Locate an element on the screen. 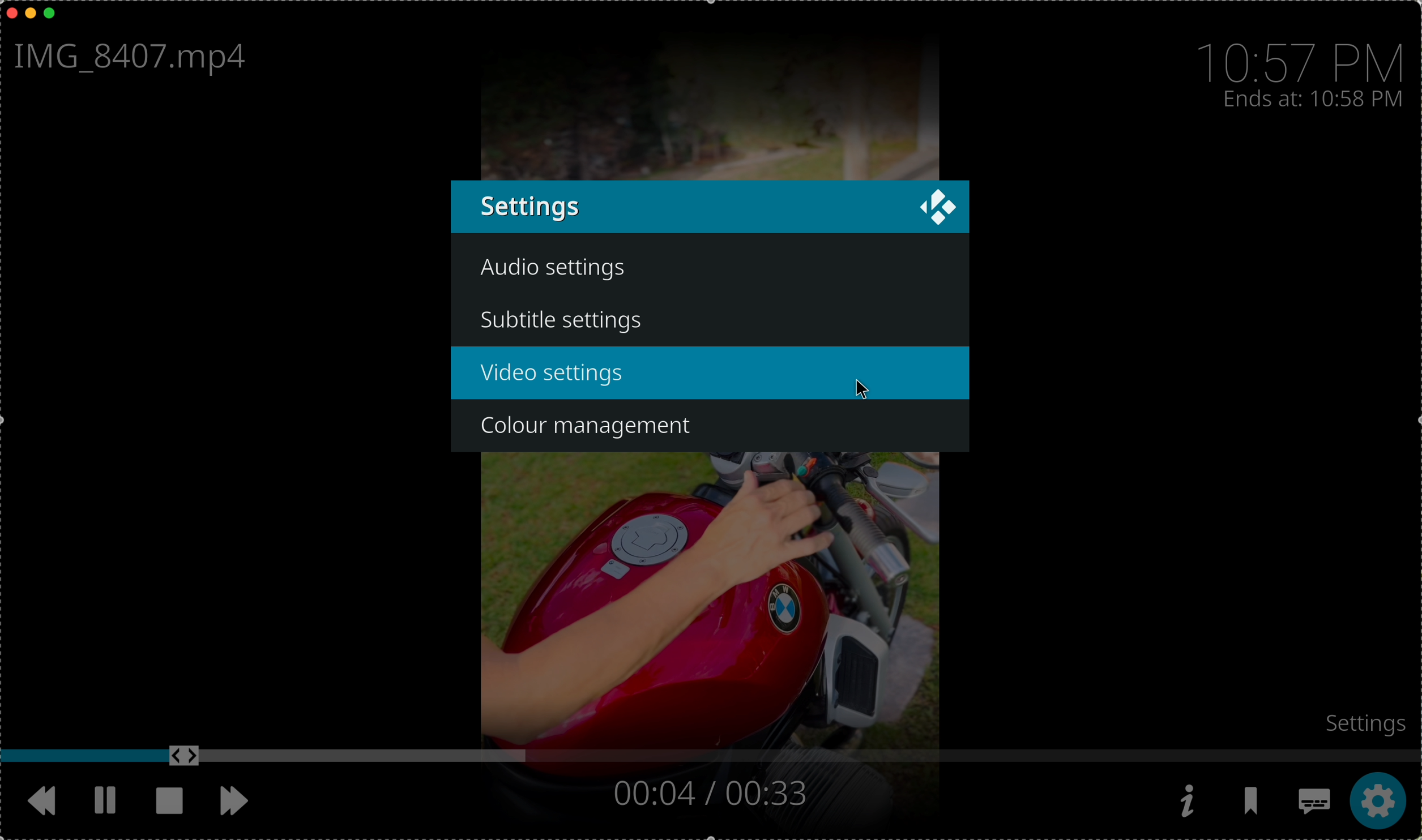 This screenshot has height=840, width=1422. close  is located at coordinates (9, 12).